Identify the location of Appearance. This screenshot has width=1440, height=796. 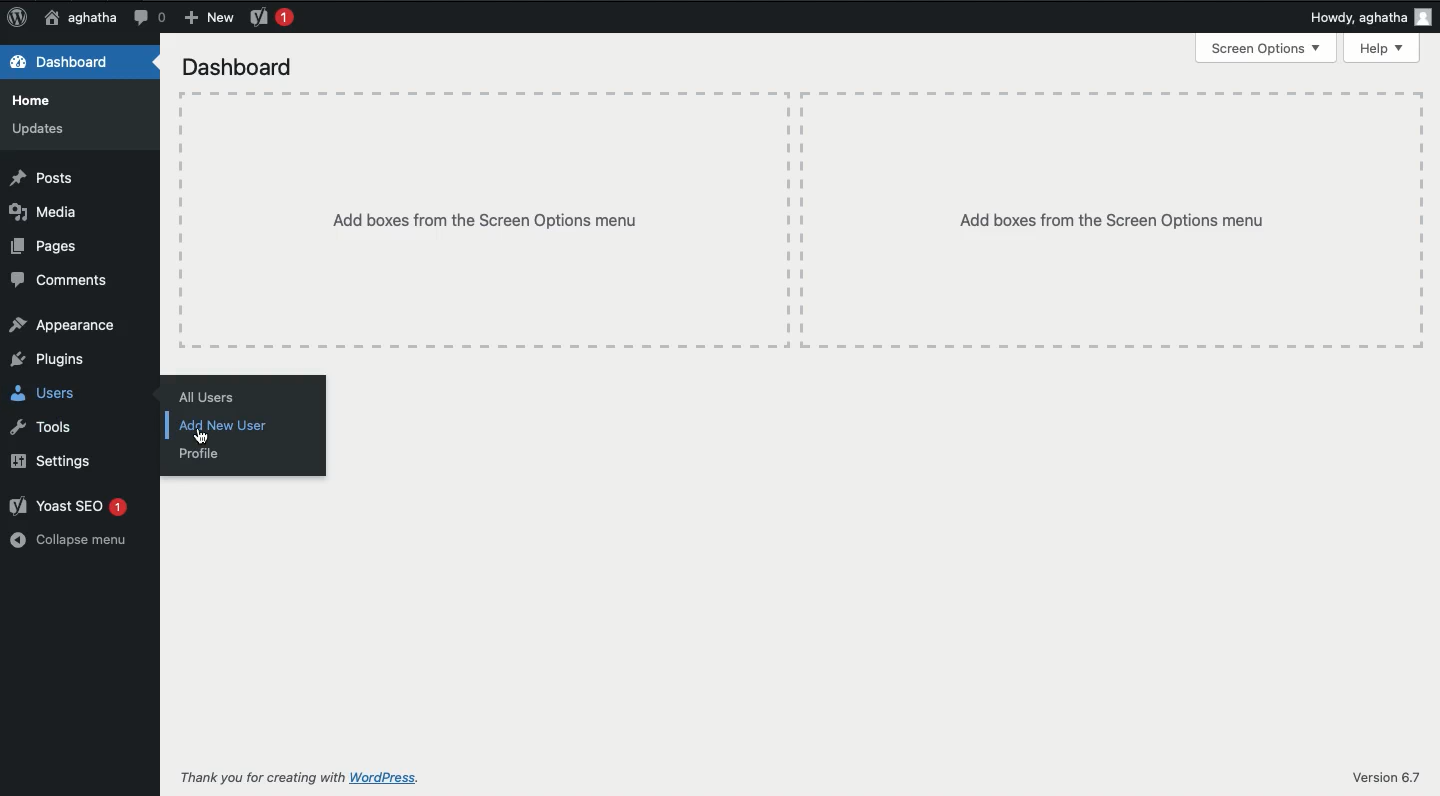
(64, 322).